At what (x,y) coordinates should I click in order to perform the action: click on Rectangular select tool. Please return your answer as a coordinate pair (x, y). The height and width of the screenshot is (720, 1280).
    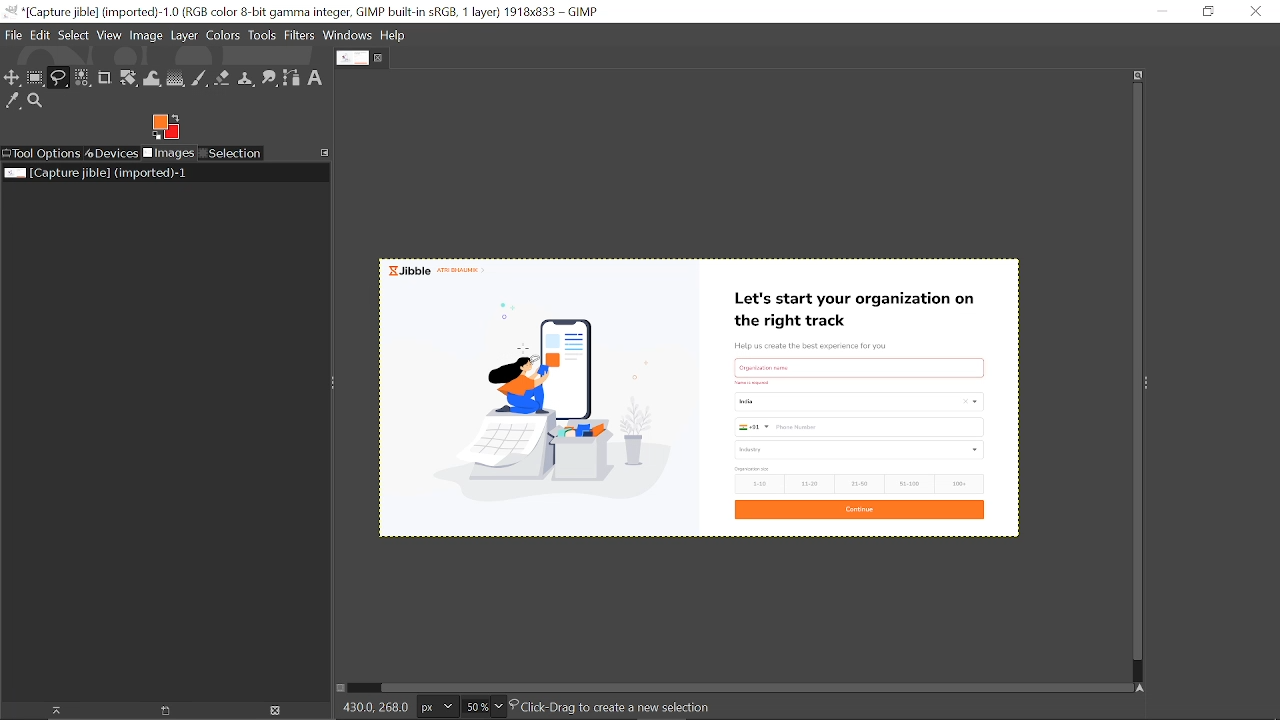
    Looking at the image, I should click on (35, 77).